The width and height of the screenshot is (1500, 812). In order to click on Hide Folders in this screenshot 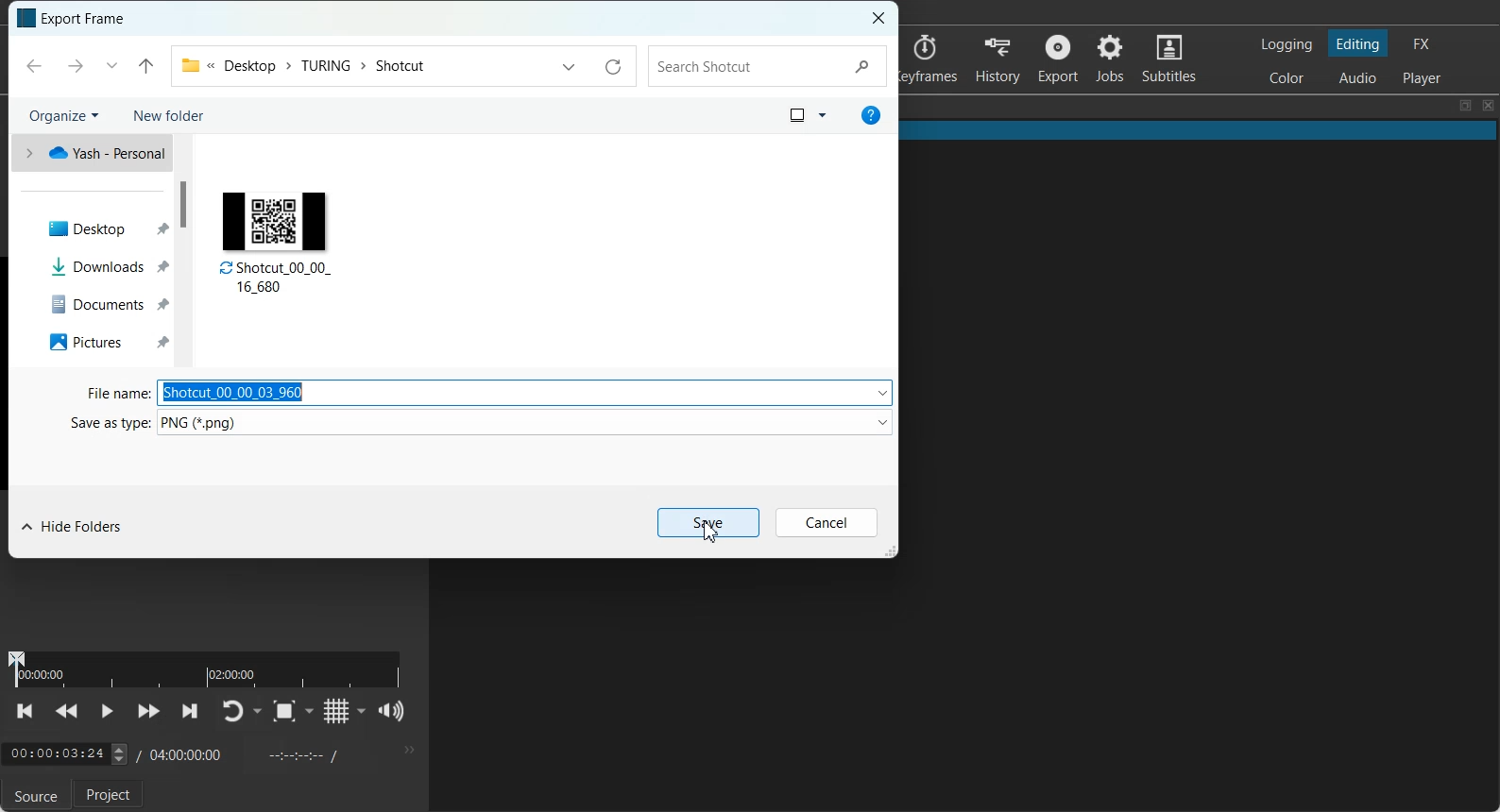, I will do `click(74, 530)`.